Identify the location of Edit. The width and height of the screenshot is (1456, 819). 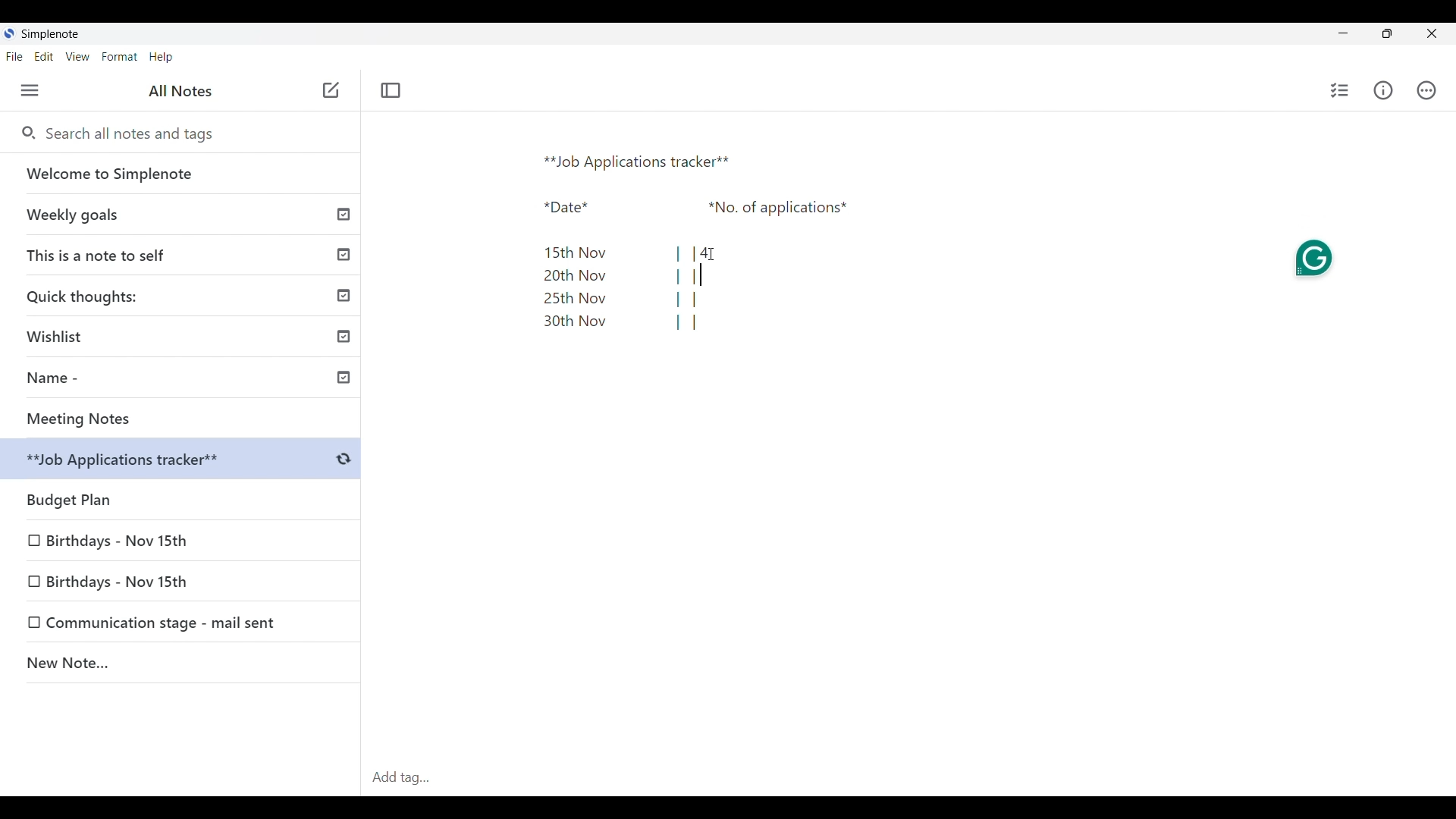
(44, 56).